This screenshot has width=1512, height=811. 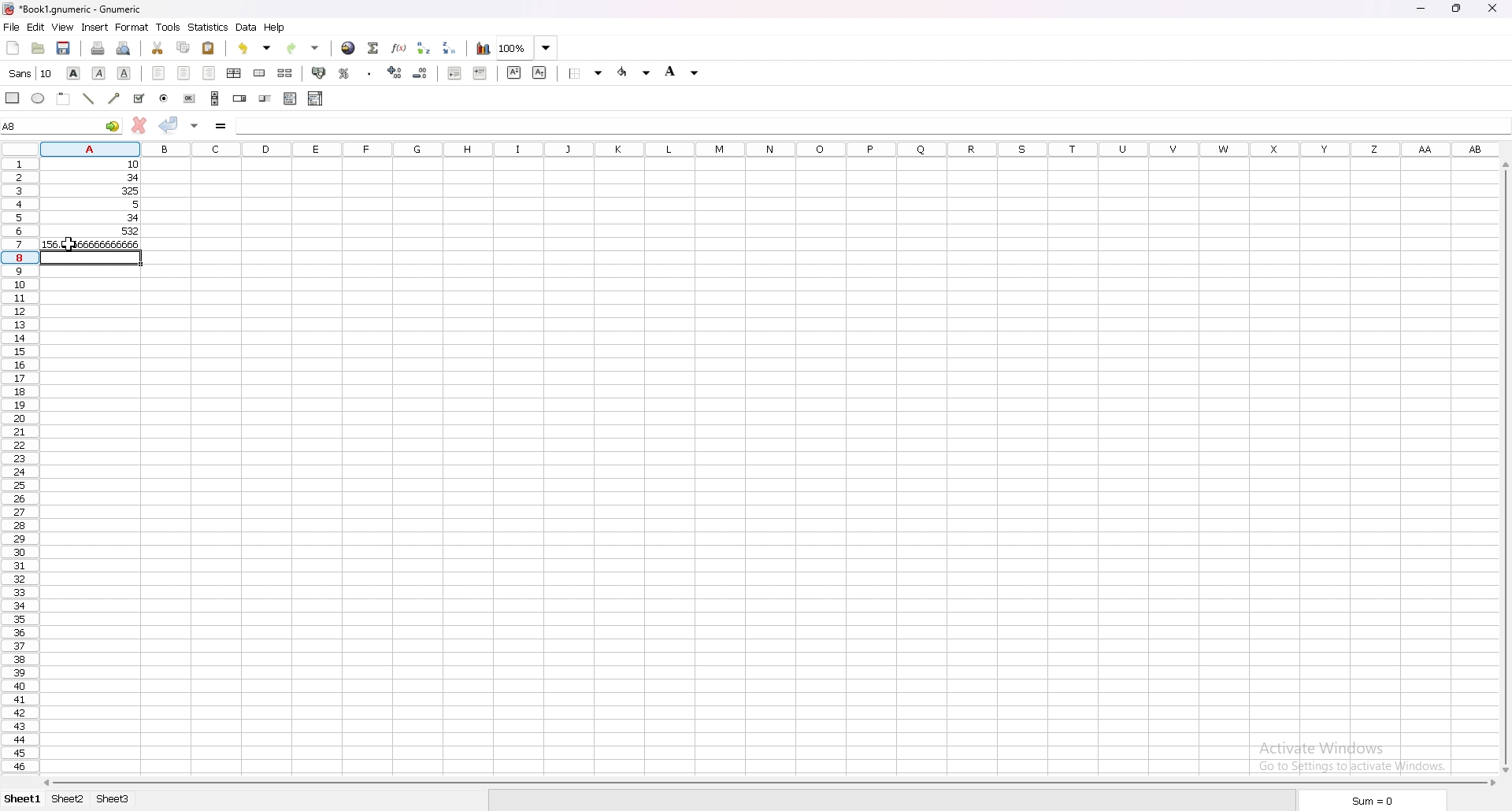 I want to click on gnumeric logo, so click(x=9, y=9).